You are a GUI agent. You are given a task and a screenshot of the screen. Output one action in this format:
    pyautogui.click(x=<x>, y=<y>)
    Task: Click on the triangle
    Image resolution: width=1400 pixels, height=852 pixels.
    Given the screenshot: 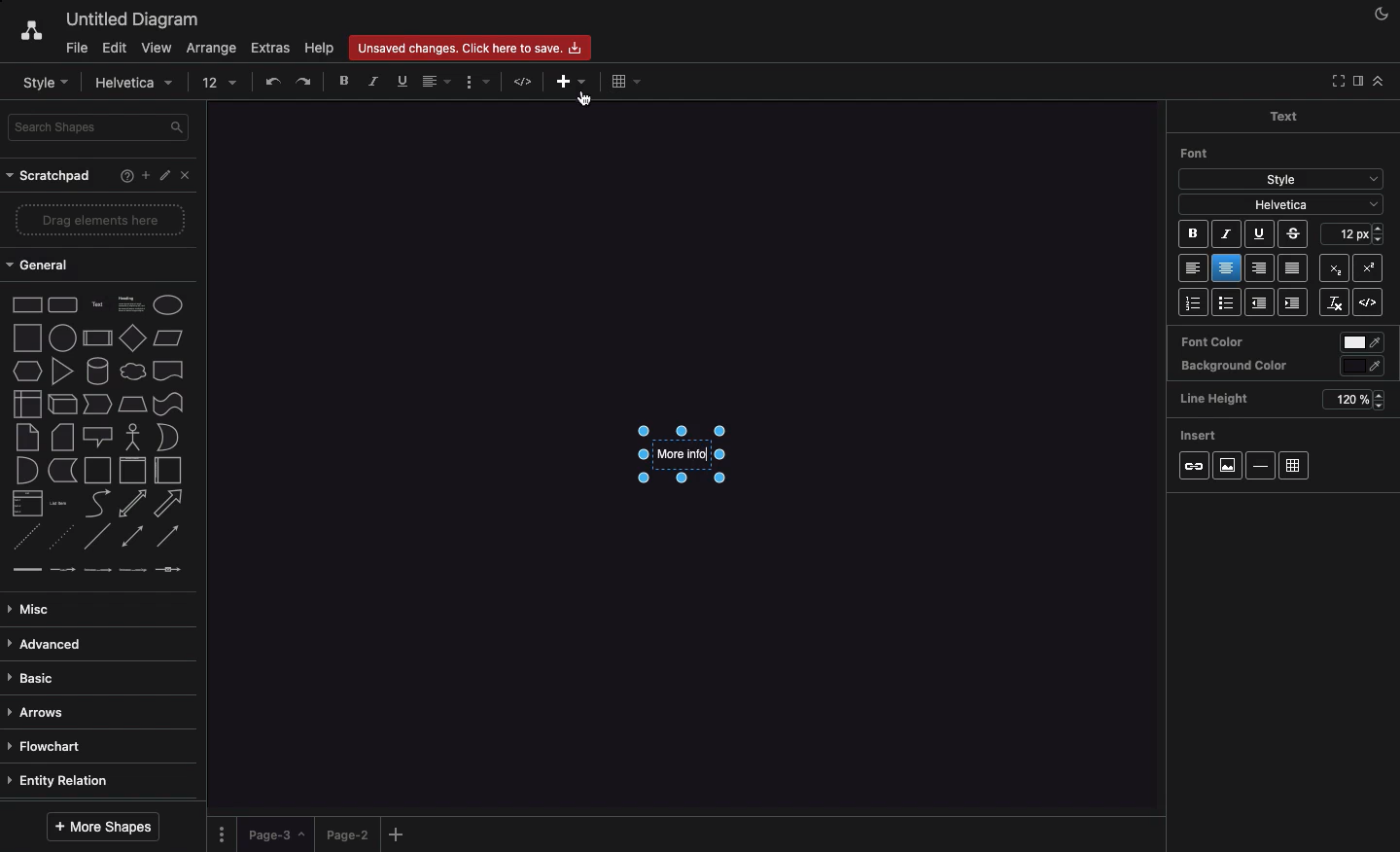 What is the action you would take?
    pyautogui.click(x=63, y=371)
    